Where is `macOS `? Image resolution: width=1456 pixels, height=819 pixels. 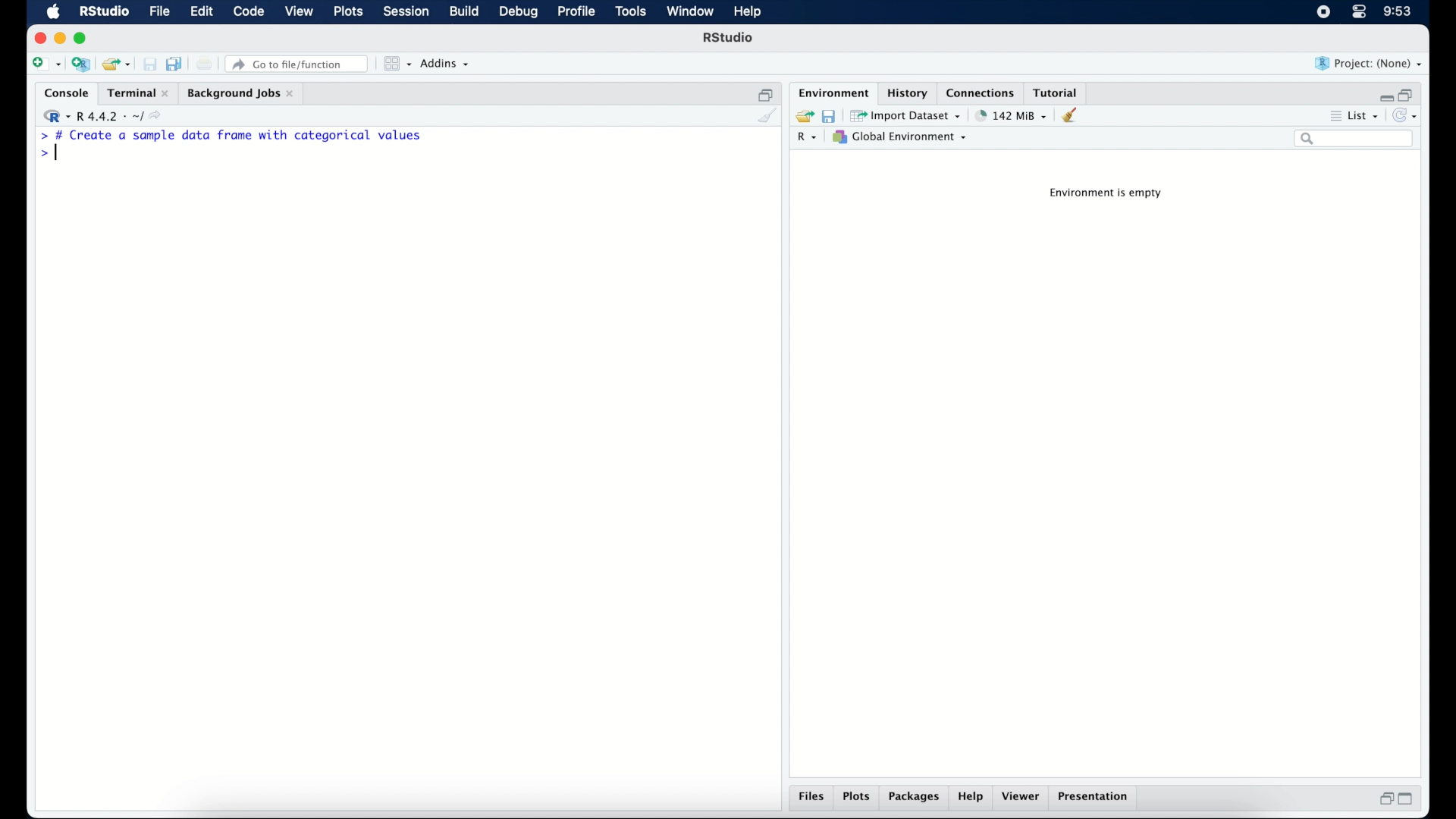
macOS  is located at coordinates (53, 12).